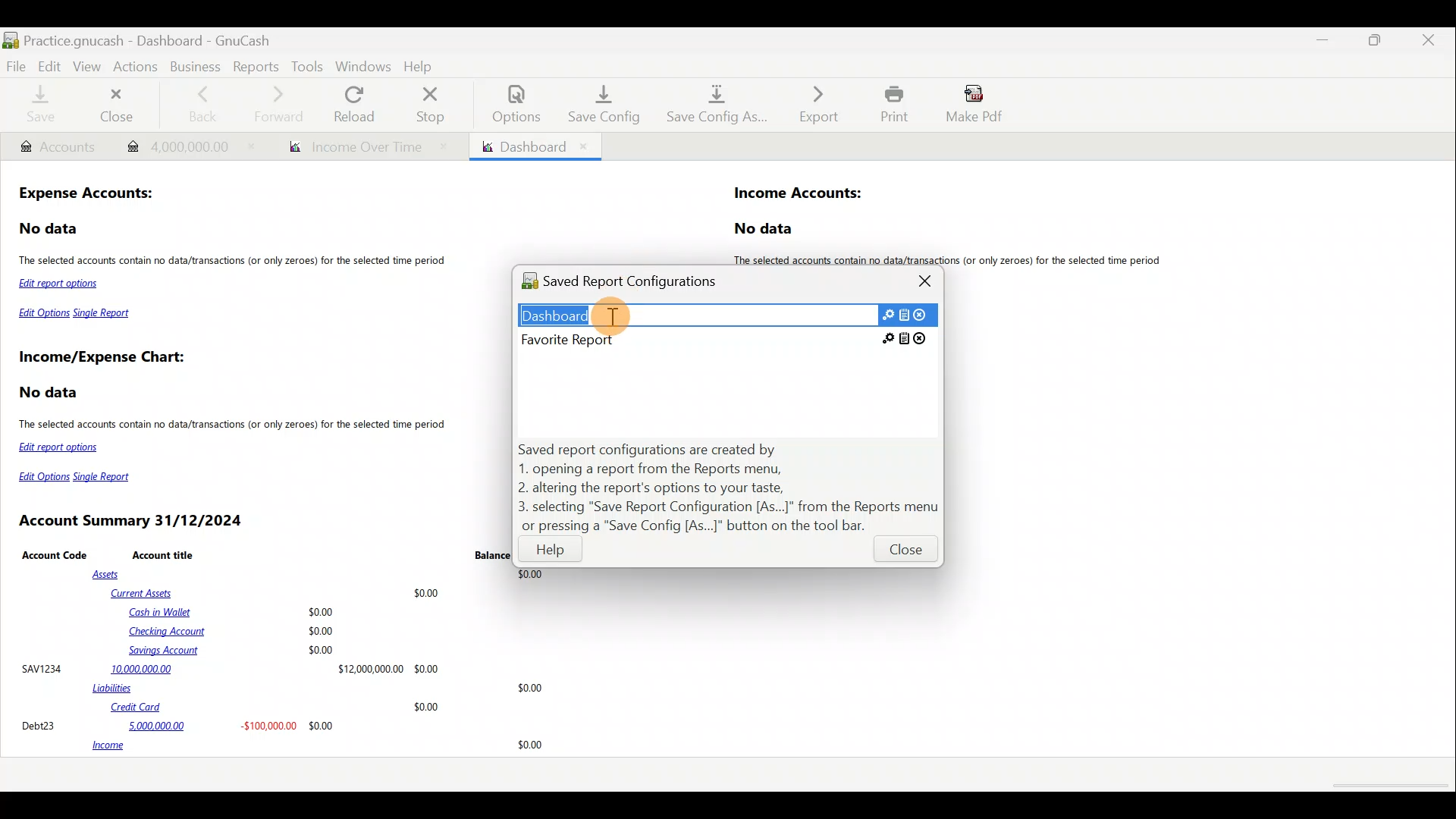 This screenshot has width=1456, height=819. What do you see at coordinates (422, 64) in the screenshot?
I see `Help` at bounding box center [422, 64].